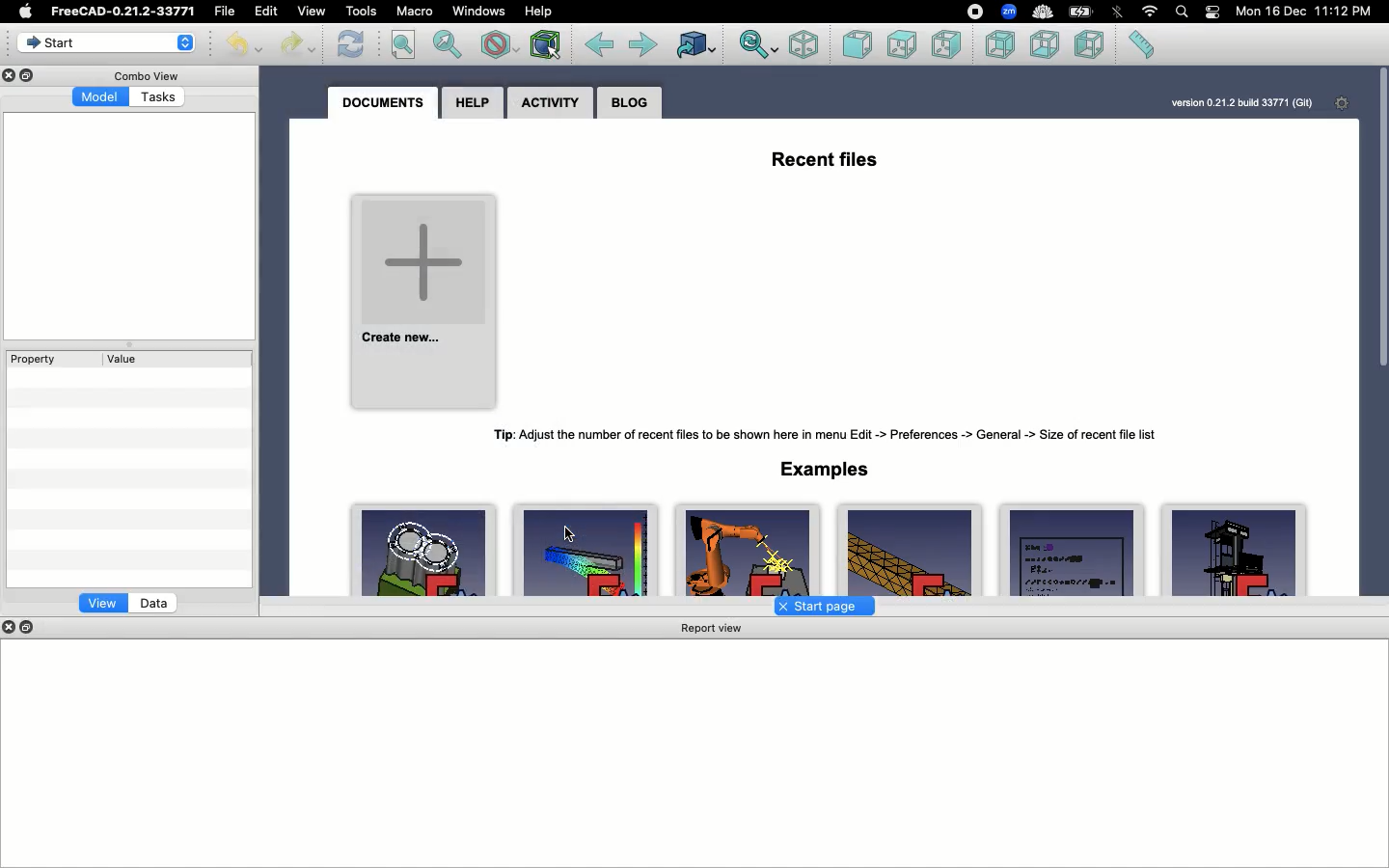 The image size is (1389, 868). I want to click on Combo view, so click(147, 75).